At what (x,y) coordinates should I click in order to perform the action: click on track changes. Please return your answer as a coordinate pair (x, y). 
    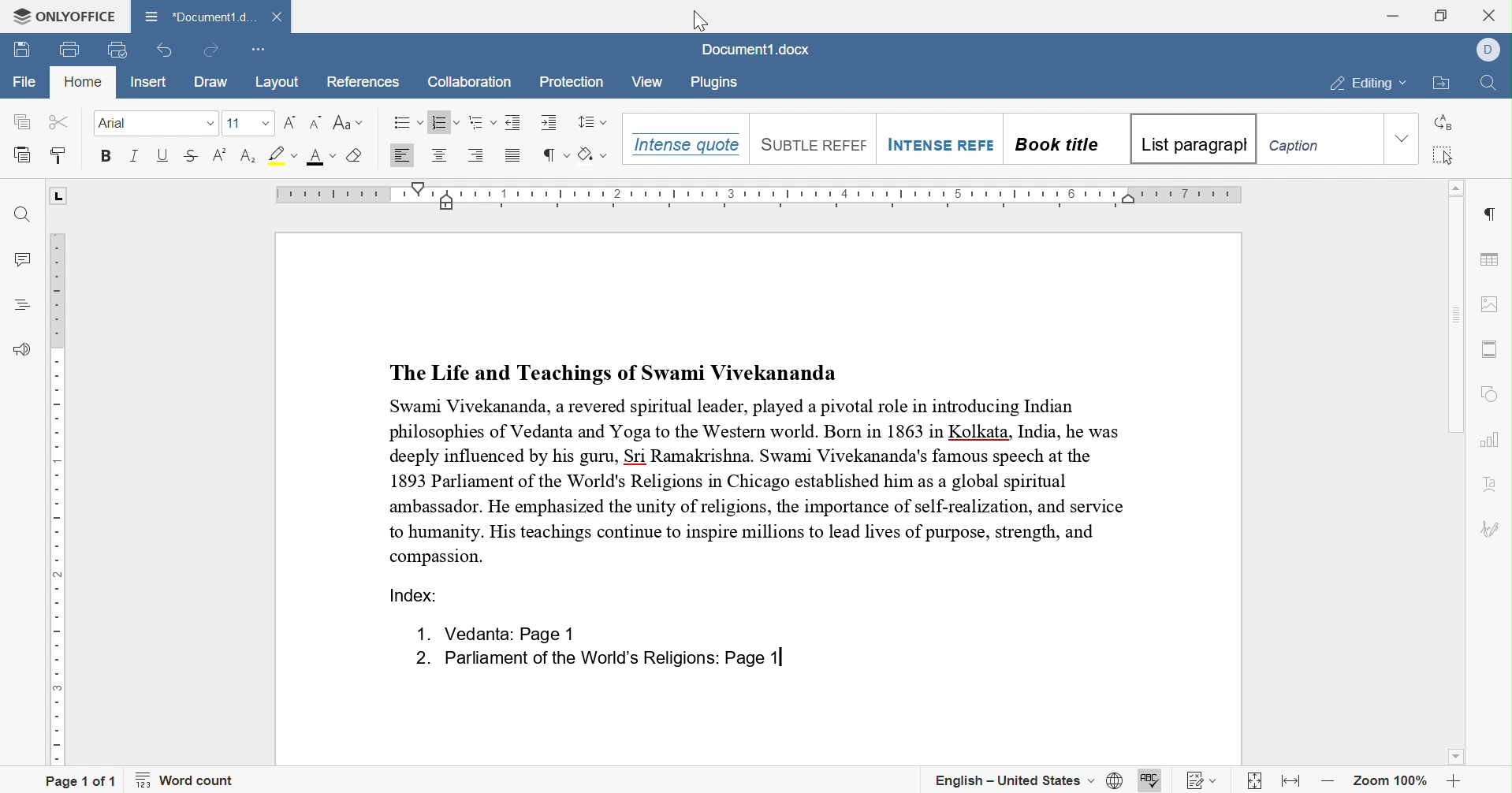
    Looking at the image, I should click on (1203, 782).